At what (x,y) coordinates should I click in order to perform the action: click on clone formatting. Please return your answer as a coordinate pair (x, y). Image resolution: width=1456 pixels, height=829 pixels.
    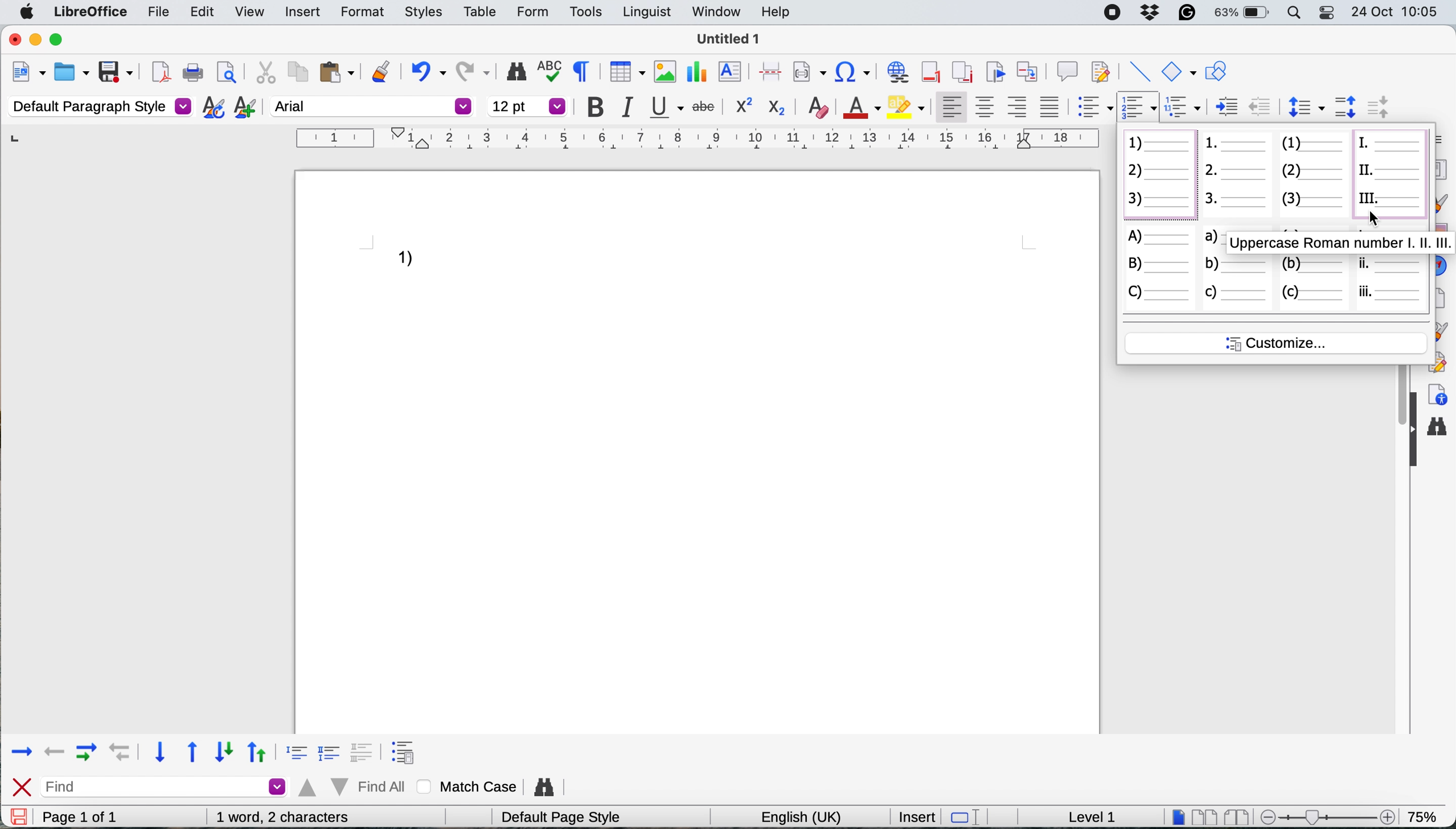
    Looking at the image, I should click on (381, 70).